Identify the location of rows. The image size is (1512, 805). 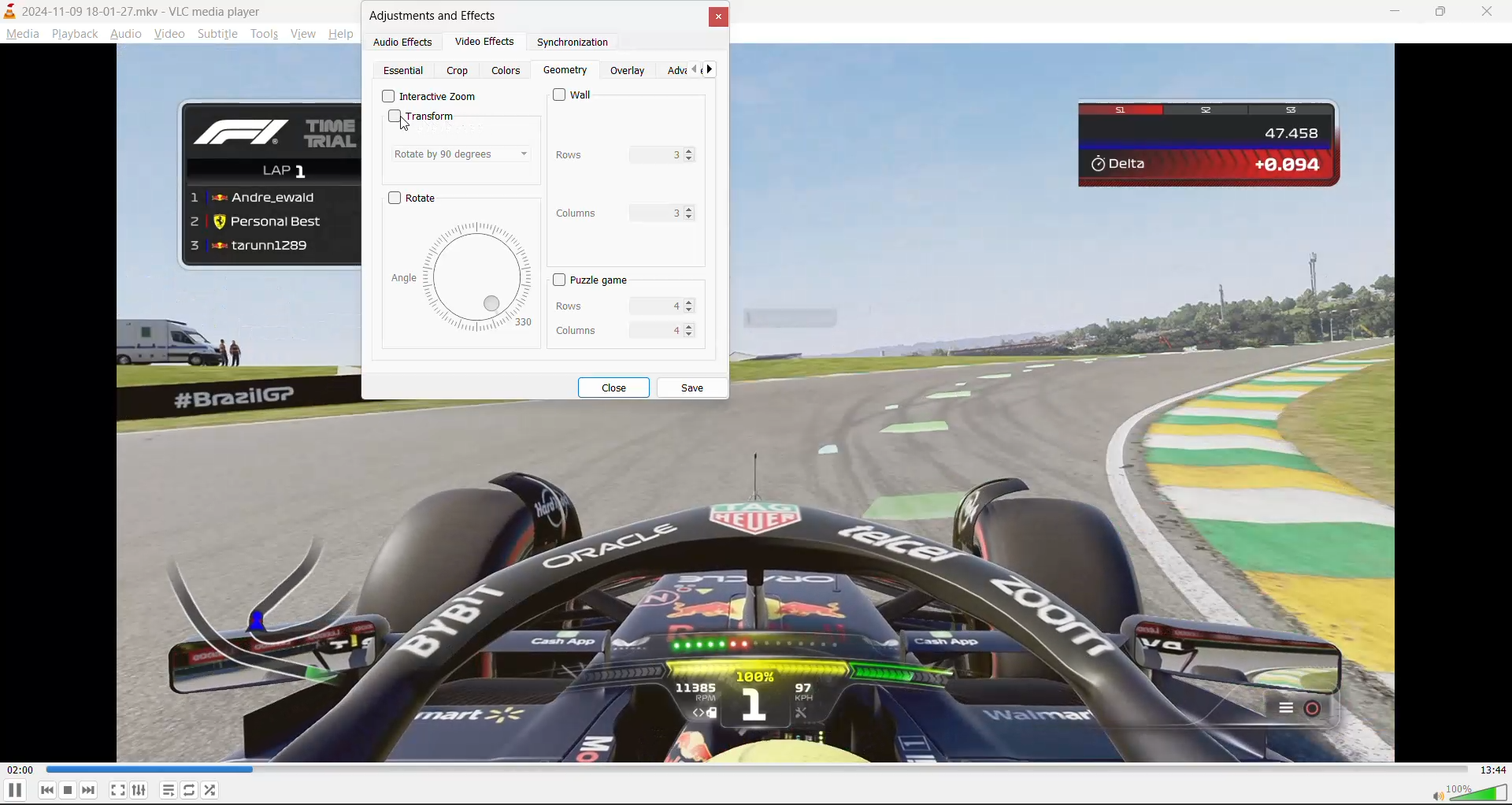
(612, 303).